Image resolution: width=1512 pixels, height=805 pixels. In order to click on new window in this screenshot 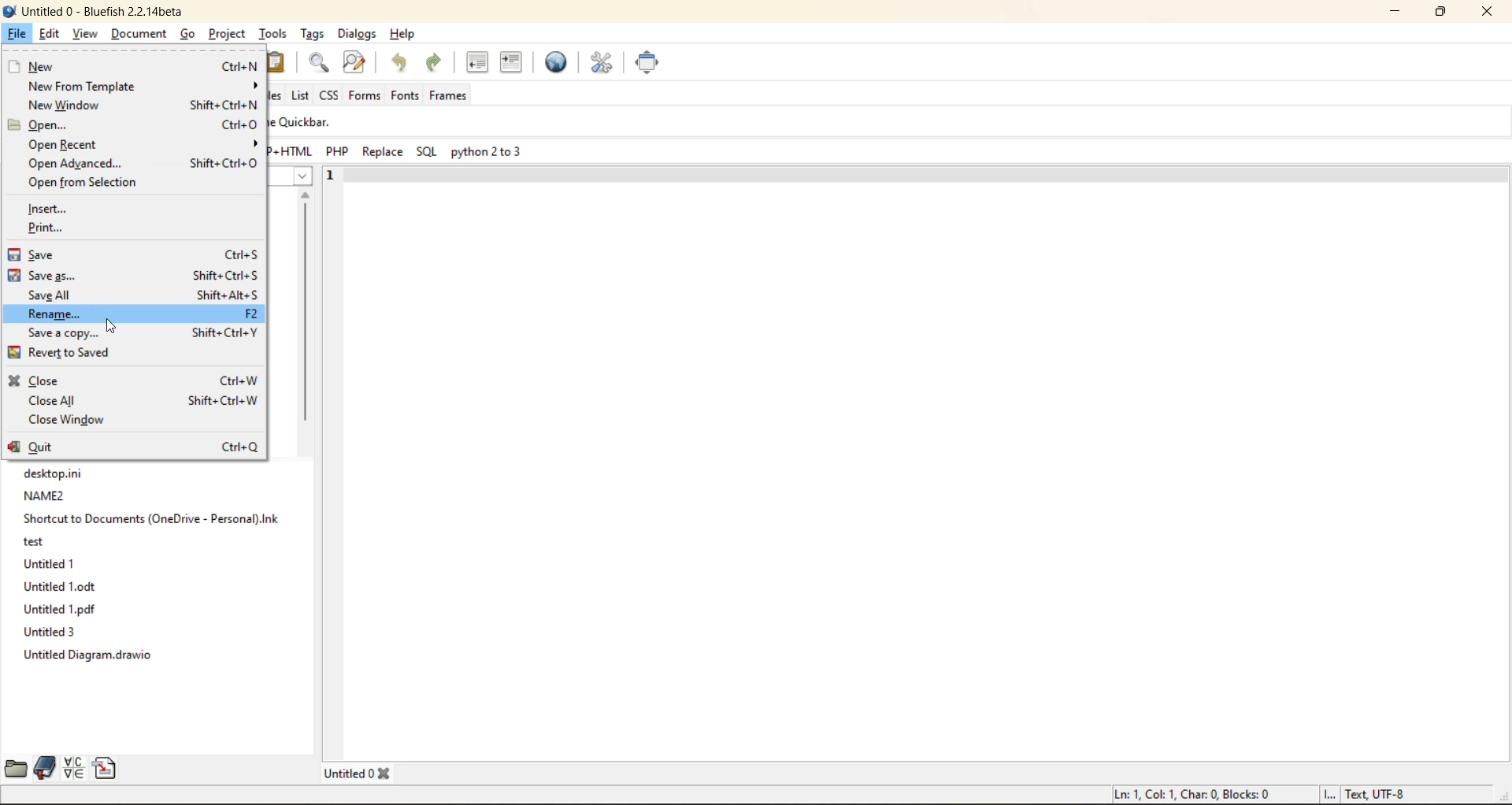, I will do `click(69, 106)`.